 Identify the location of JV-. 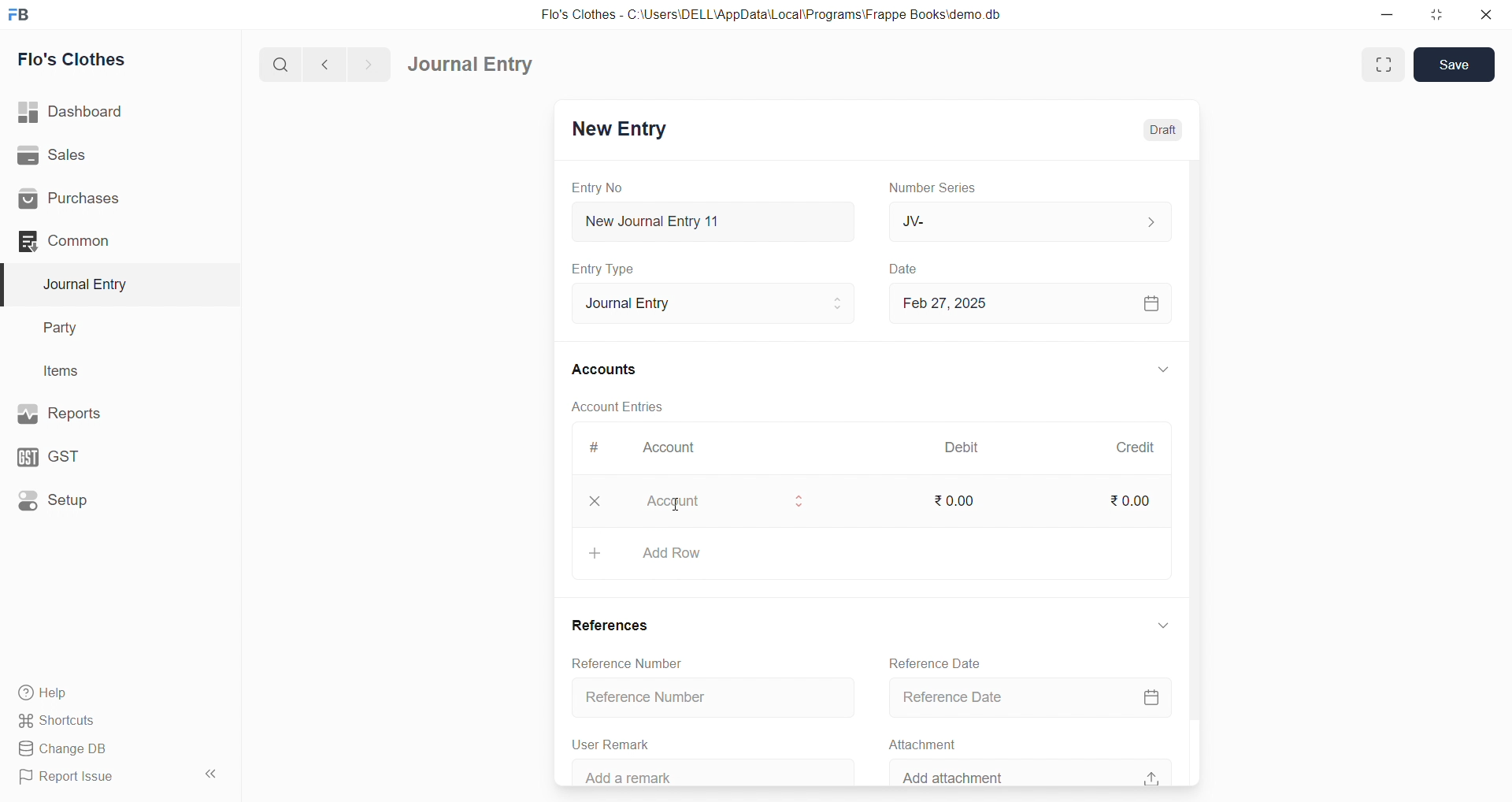
(1028, 219).